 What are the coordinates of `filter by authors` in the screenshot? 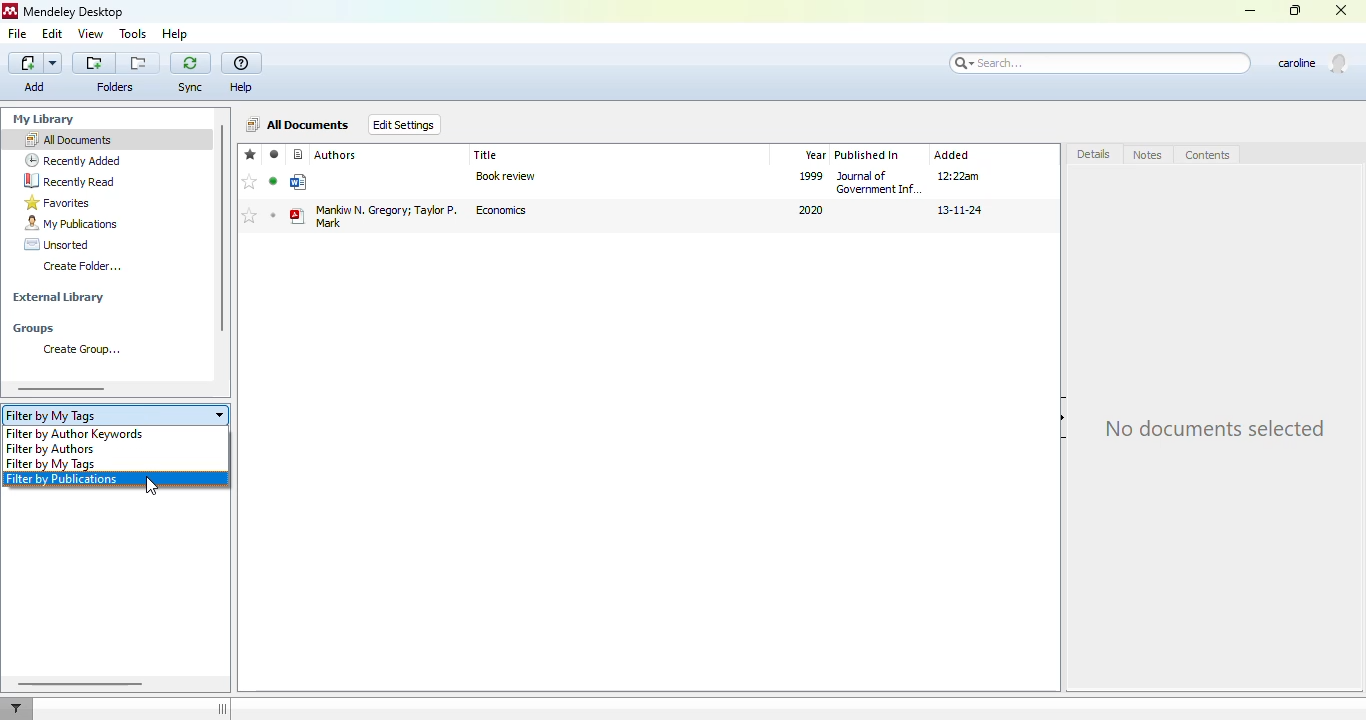 It's located at (50, 449).